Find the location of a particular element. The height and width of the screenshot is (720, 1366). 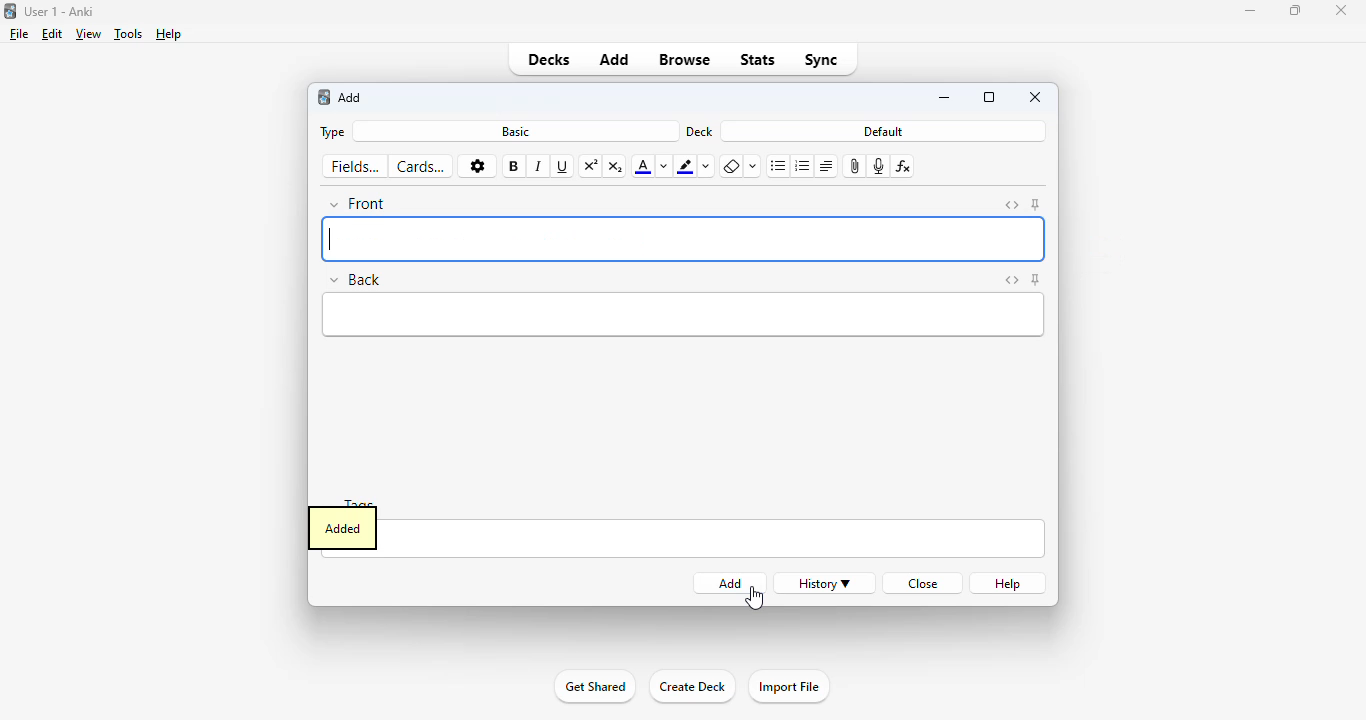

help is located at coordinates (169, 34).